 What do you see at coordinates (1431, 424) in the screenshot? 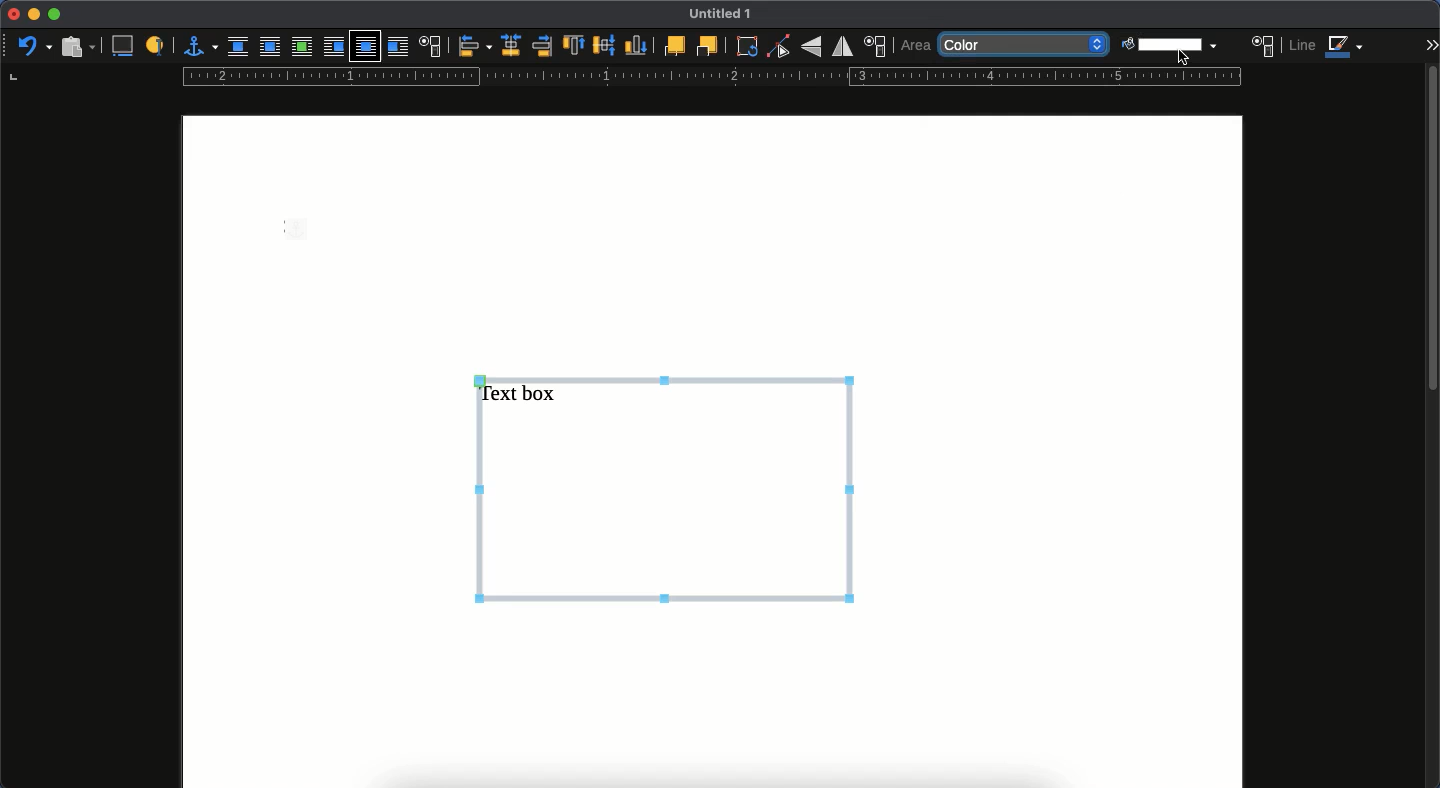
I see `scroll` at bounding box center [1431, 424].